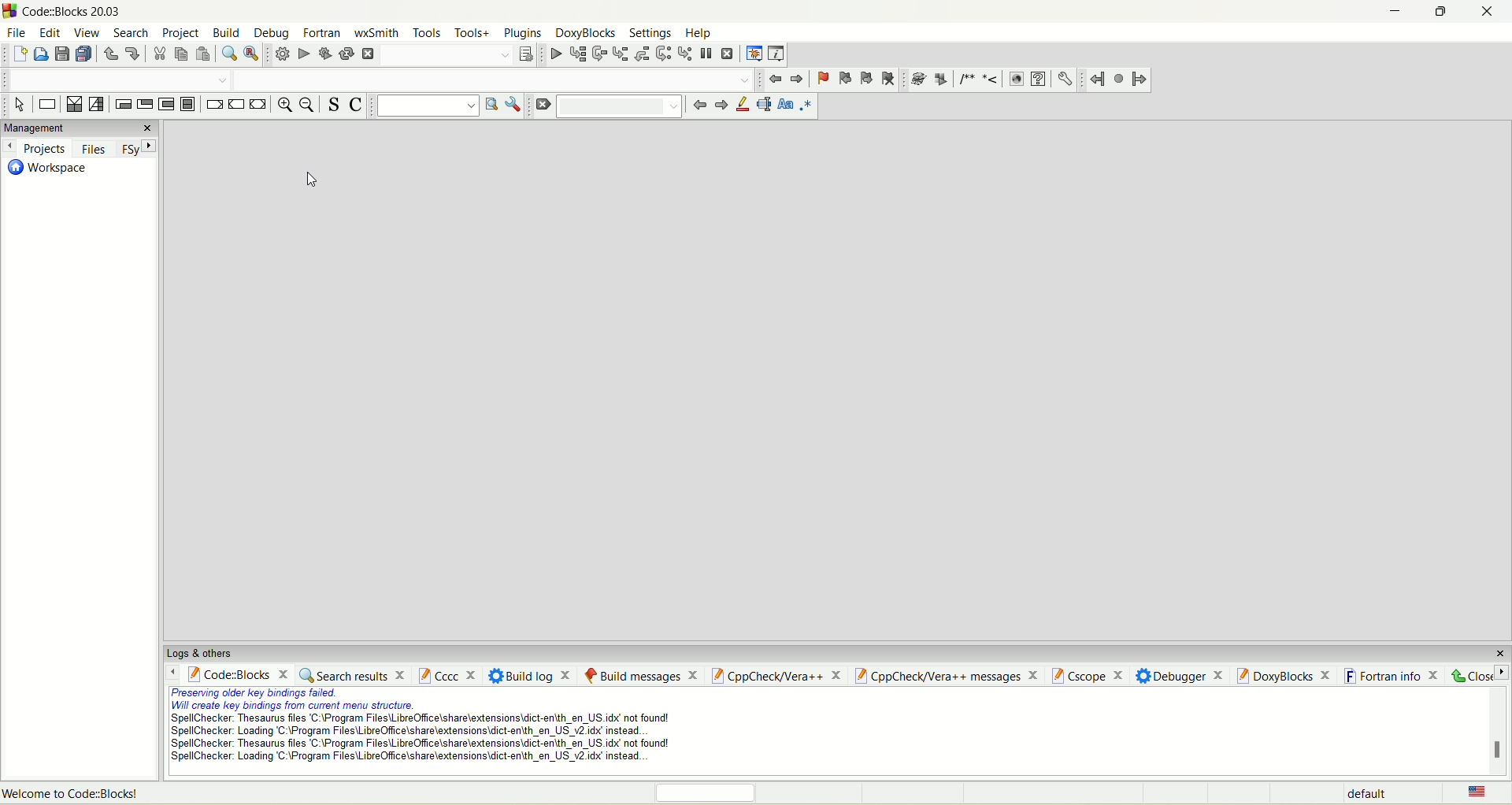 The height and width of the screenshot is (805, 1512). What do you see at coordinates (524, 35) in the screenshot?
I see `plugins` at bounding box center [524, 35].